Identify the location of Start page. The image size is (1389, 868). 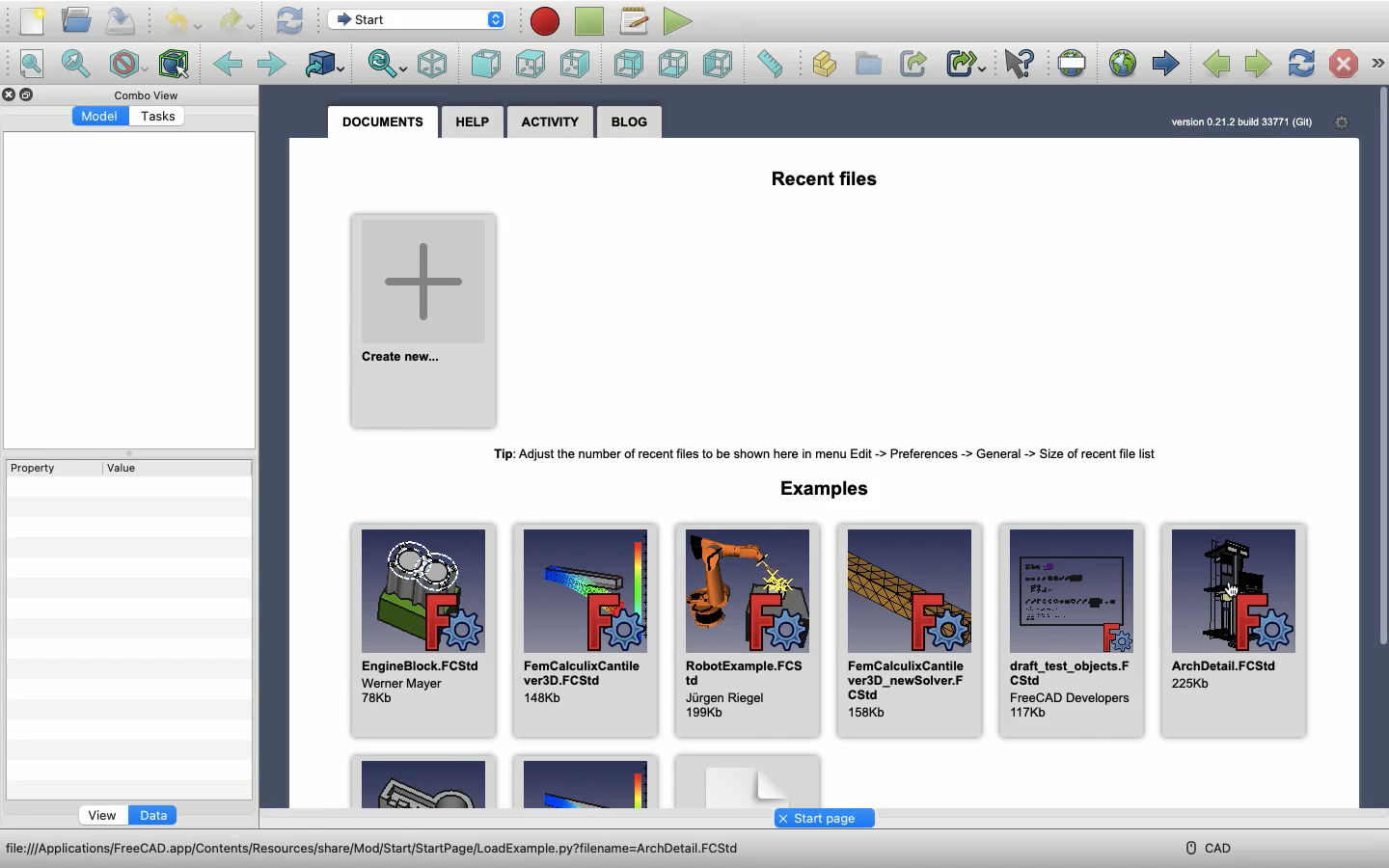
(1165, 64).